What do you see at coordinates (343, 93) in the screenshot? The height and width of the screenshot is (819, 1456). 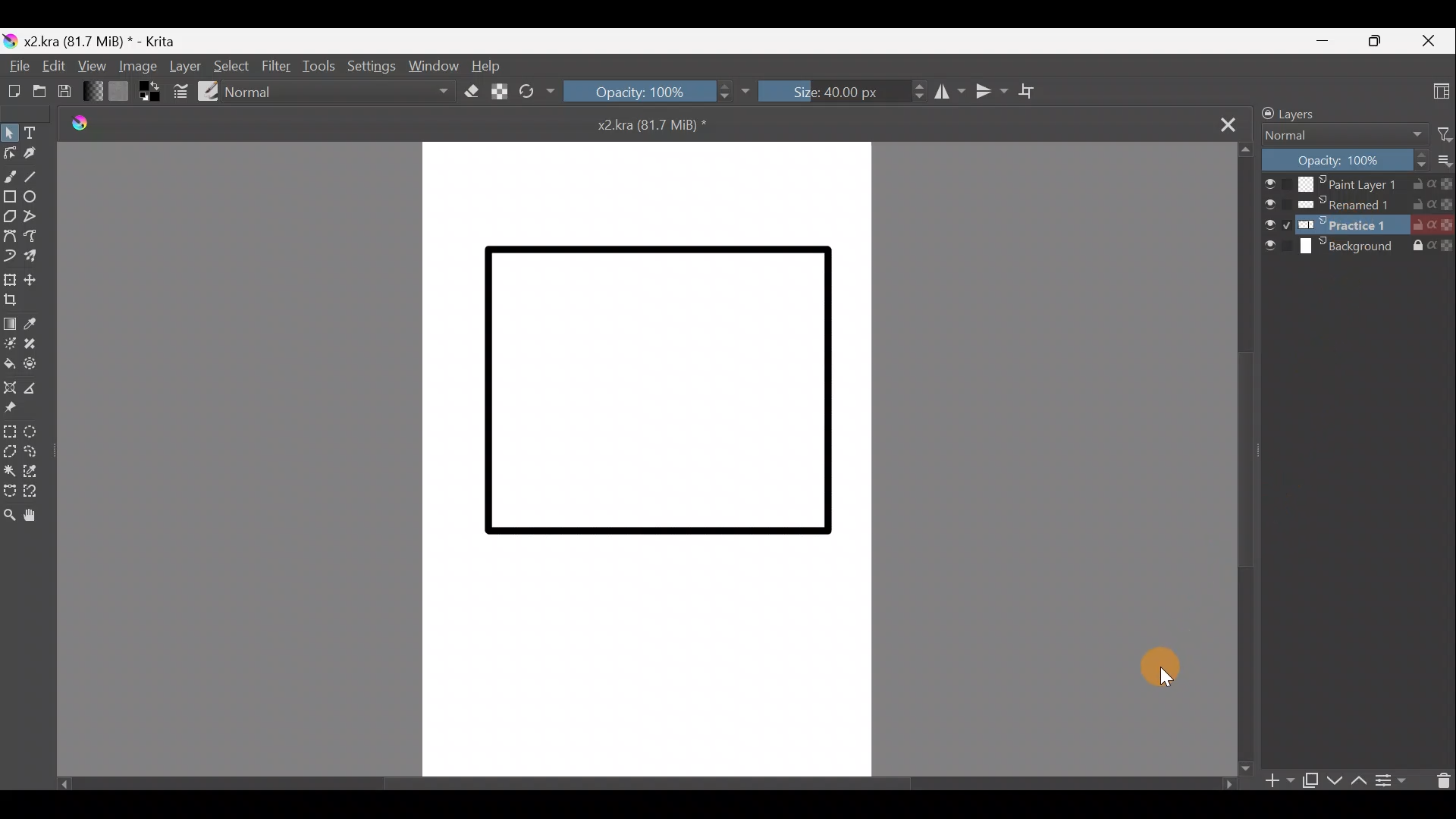 I see `Normal Blending mode` at bounding box center [343, 93].